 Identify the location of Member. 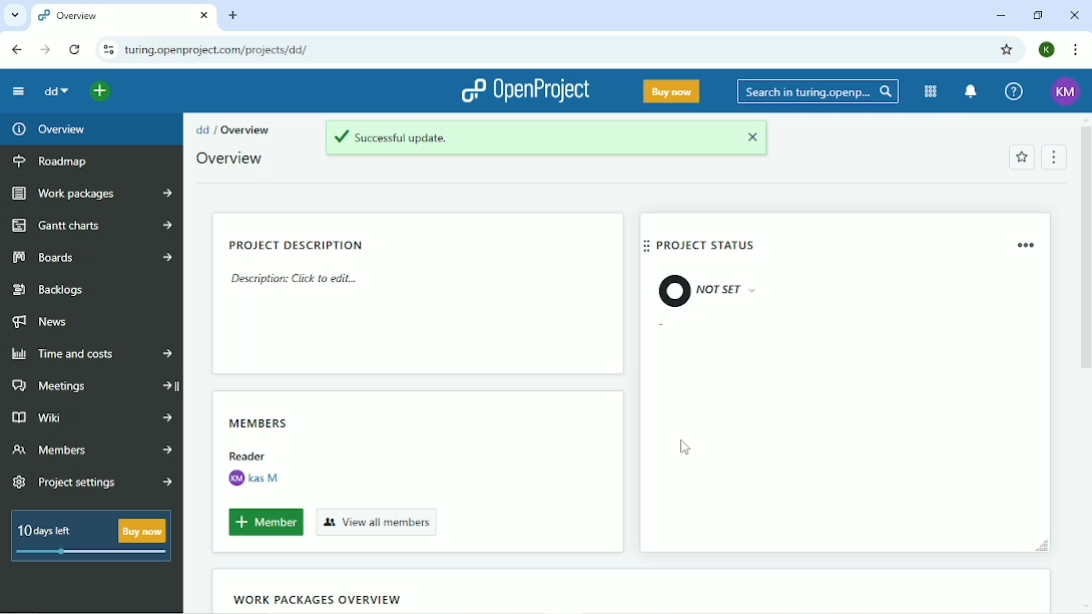
(262, 522).